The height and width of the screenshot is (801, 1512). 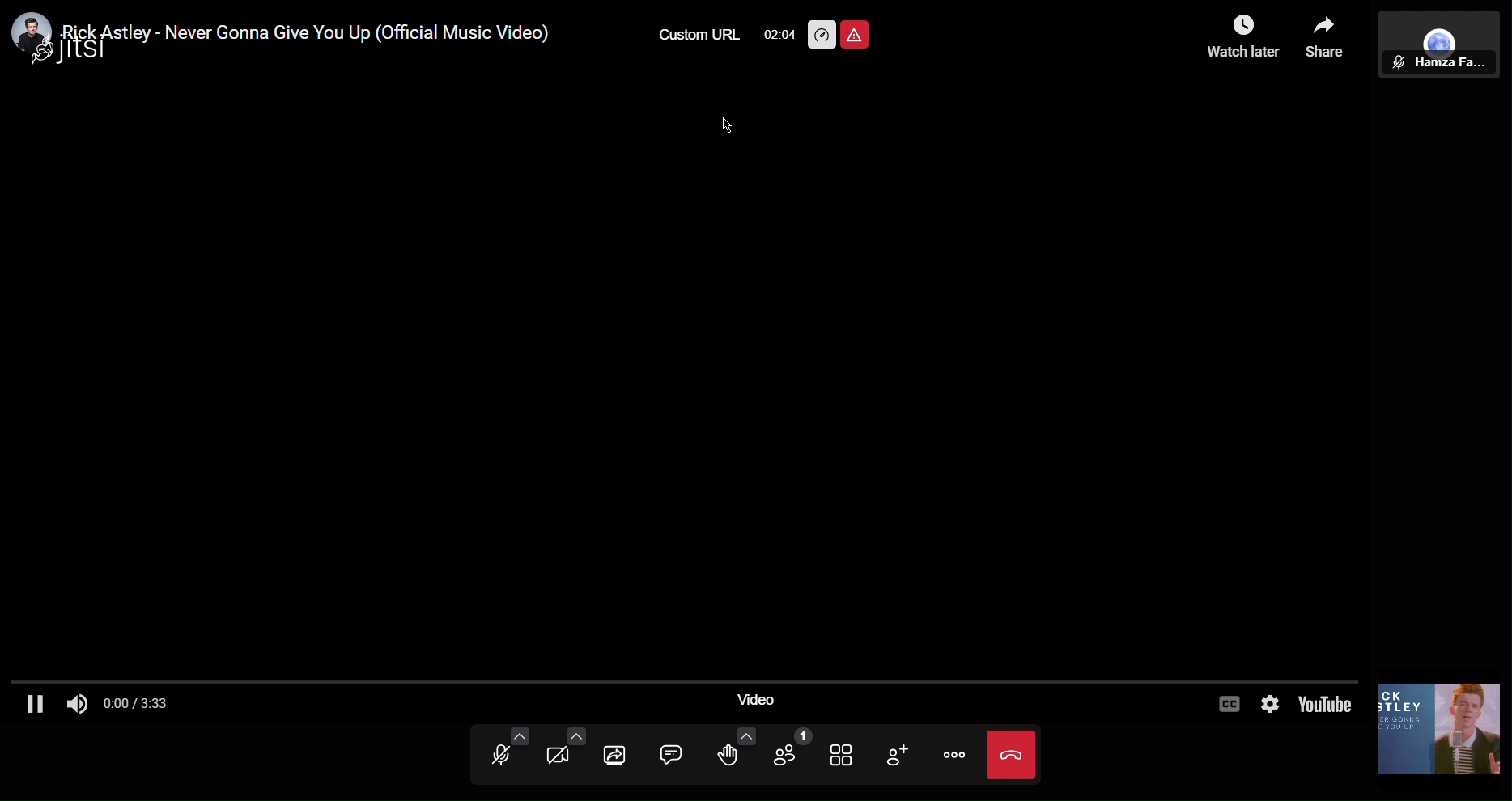 I want to click on Tile View, so click(x=848, y=756).